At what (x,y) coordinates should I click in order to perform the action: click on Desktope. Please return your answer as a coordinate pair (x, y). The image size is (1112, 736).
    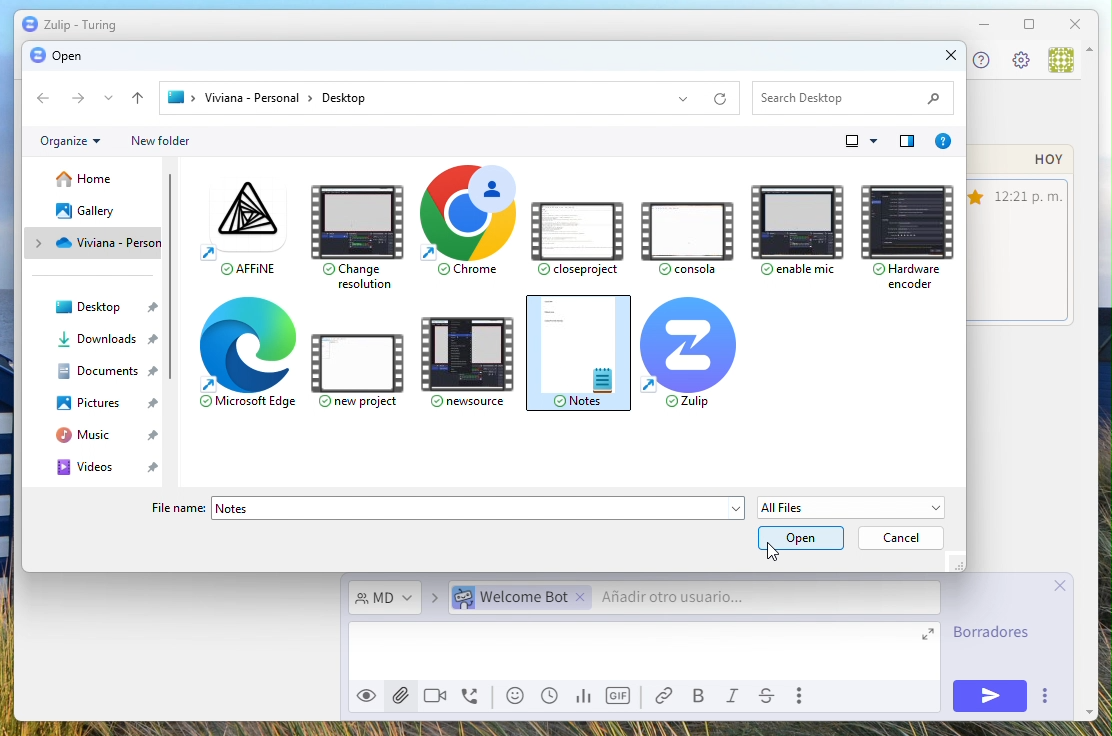
    Looking at the image, I should click on (113, 310).